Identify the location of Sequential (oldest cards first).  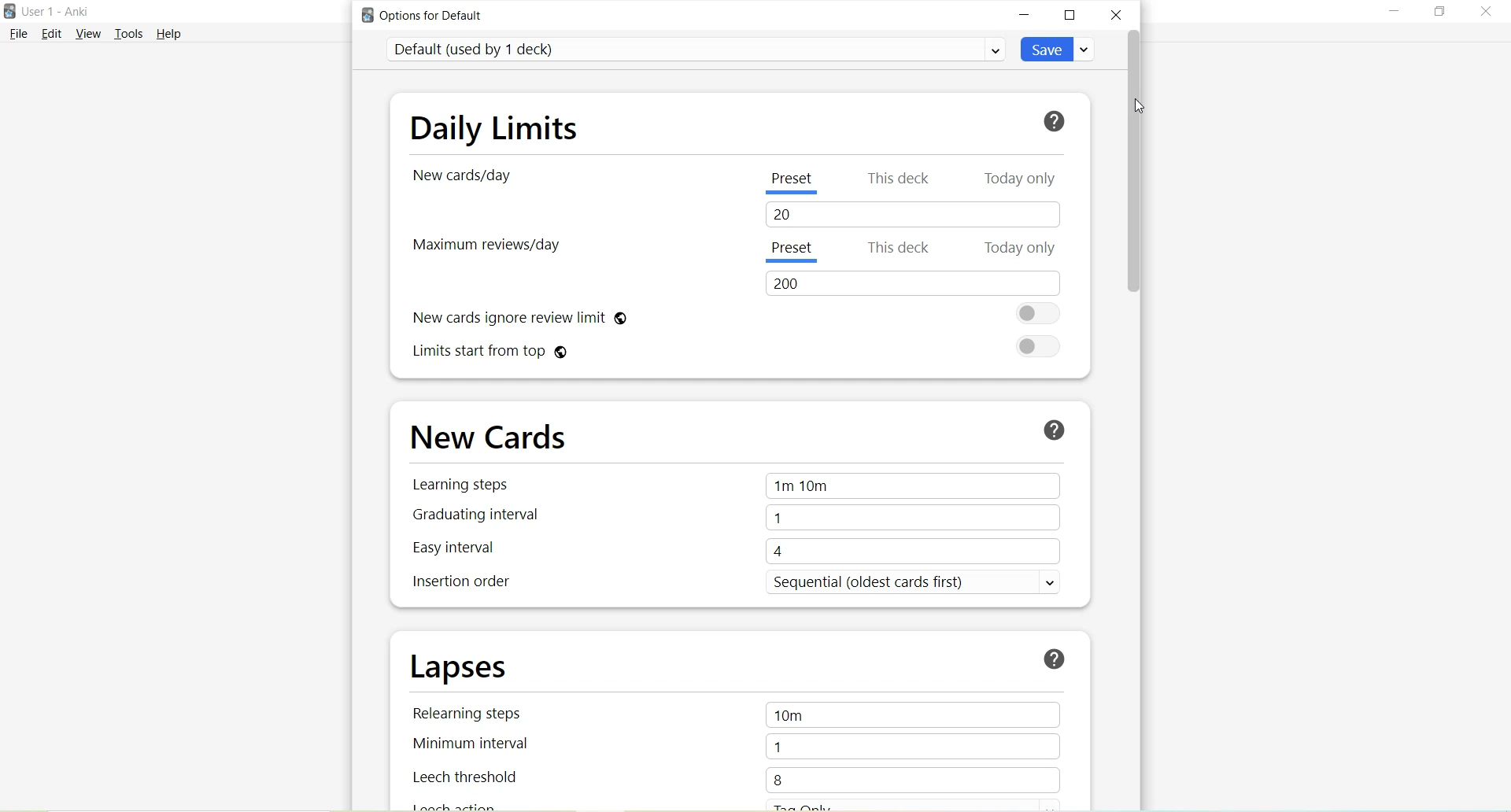
(908, 584).